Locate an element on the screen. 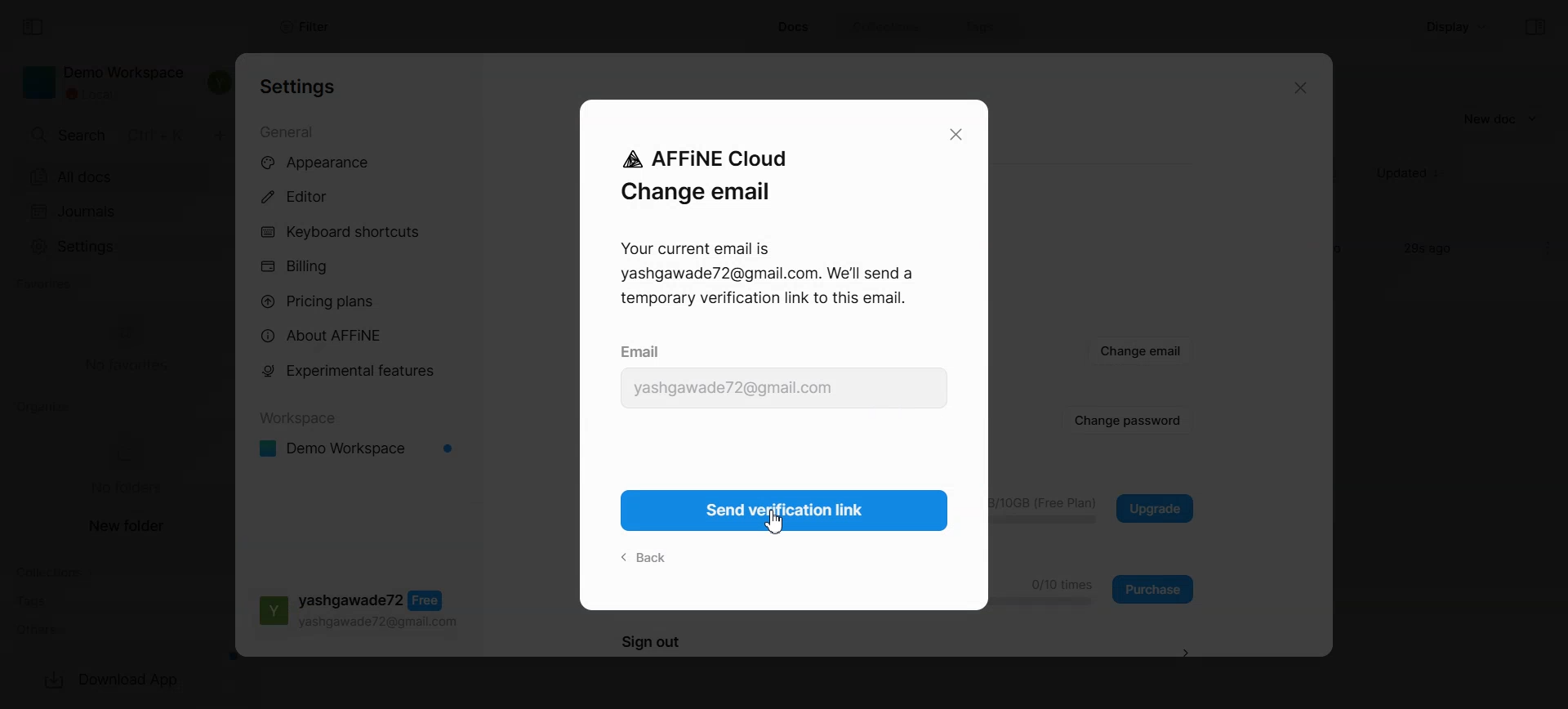  Appearance is located at coordinates (360, 162).